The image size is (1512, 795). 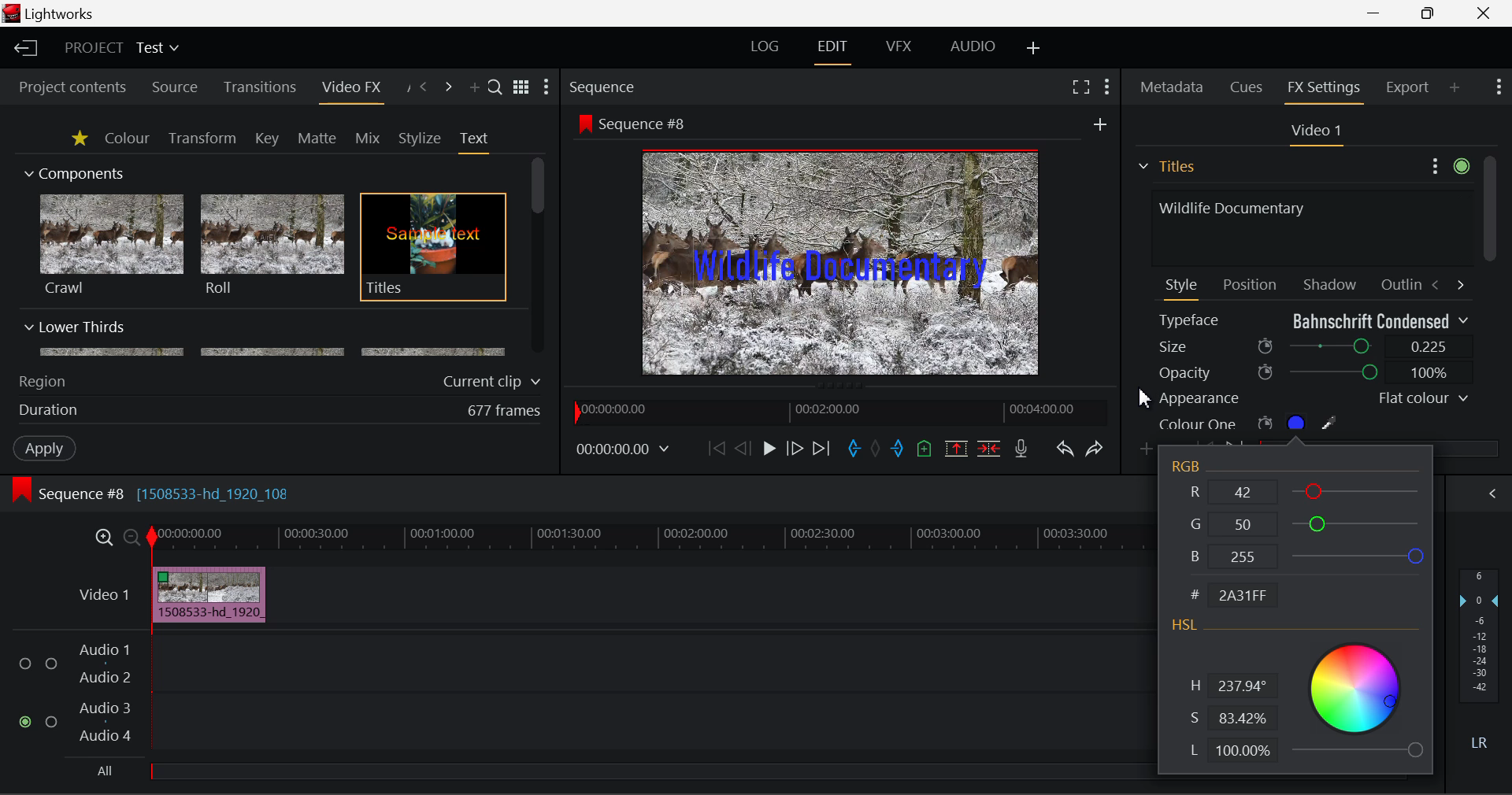 What do you see at coordinates (205, 595) in the screenshot?
I see `Clip Inserted` at bounding box center [205, 595].